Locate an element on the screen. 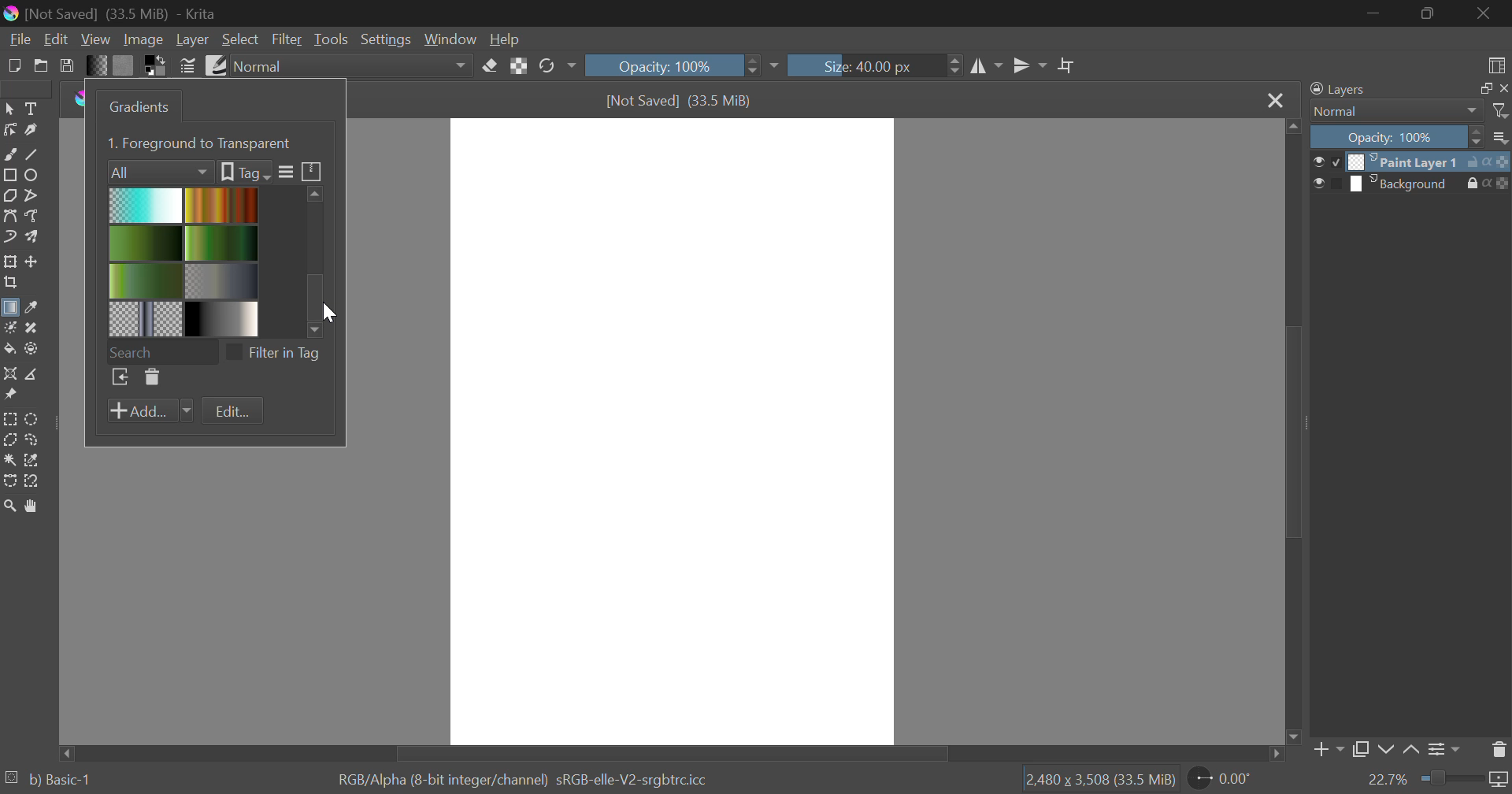  Similar Color Selection is located at coordinates (32, 461).